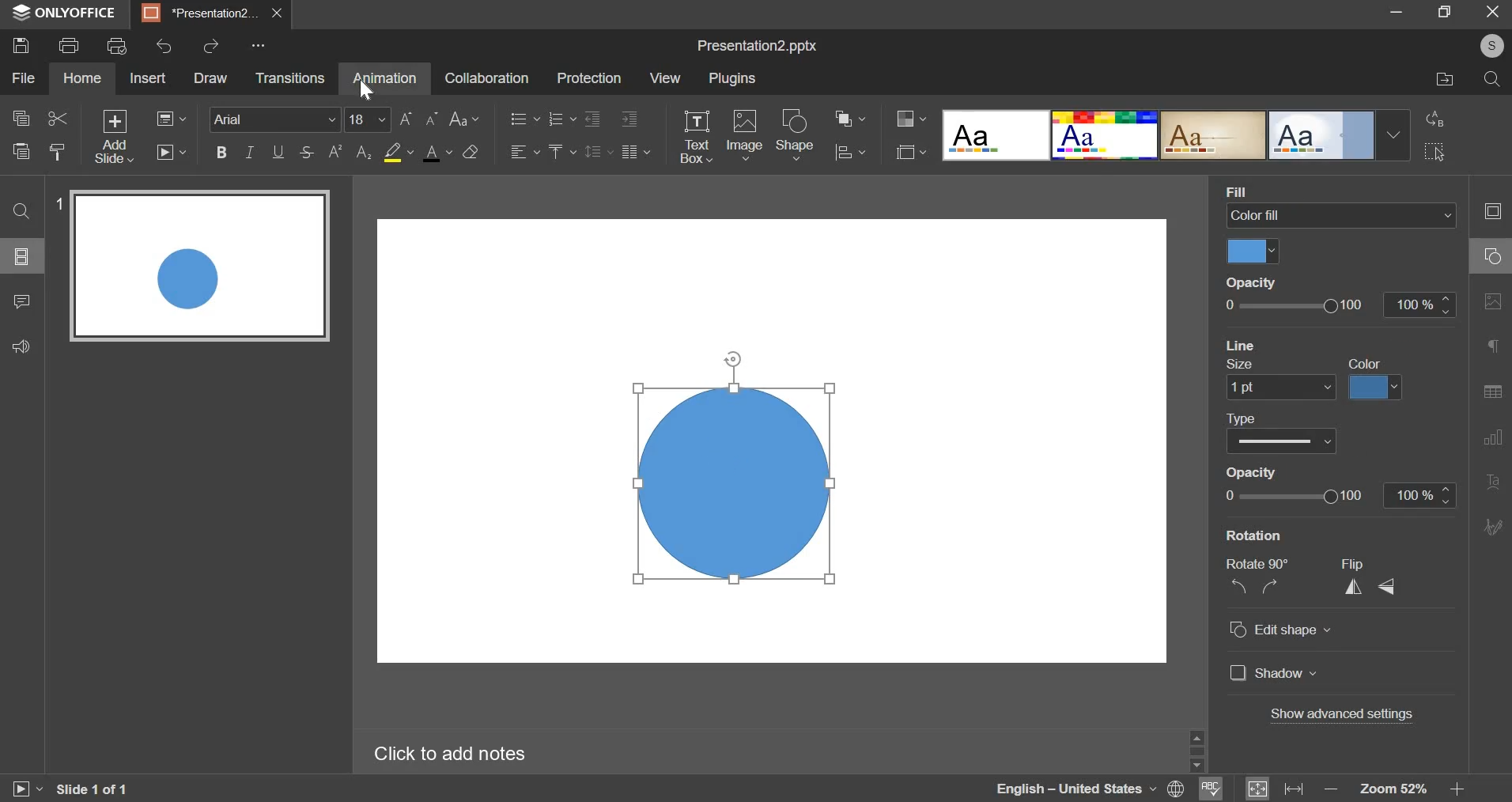 Image resolution: width=1512 pixels, height=802 pixels. What do you see at coordinates (846, 119) in the screenshot?
I see `arrange shape` at bounding box center [846, 119].